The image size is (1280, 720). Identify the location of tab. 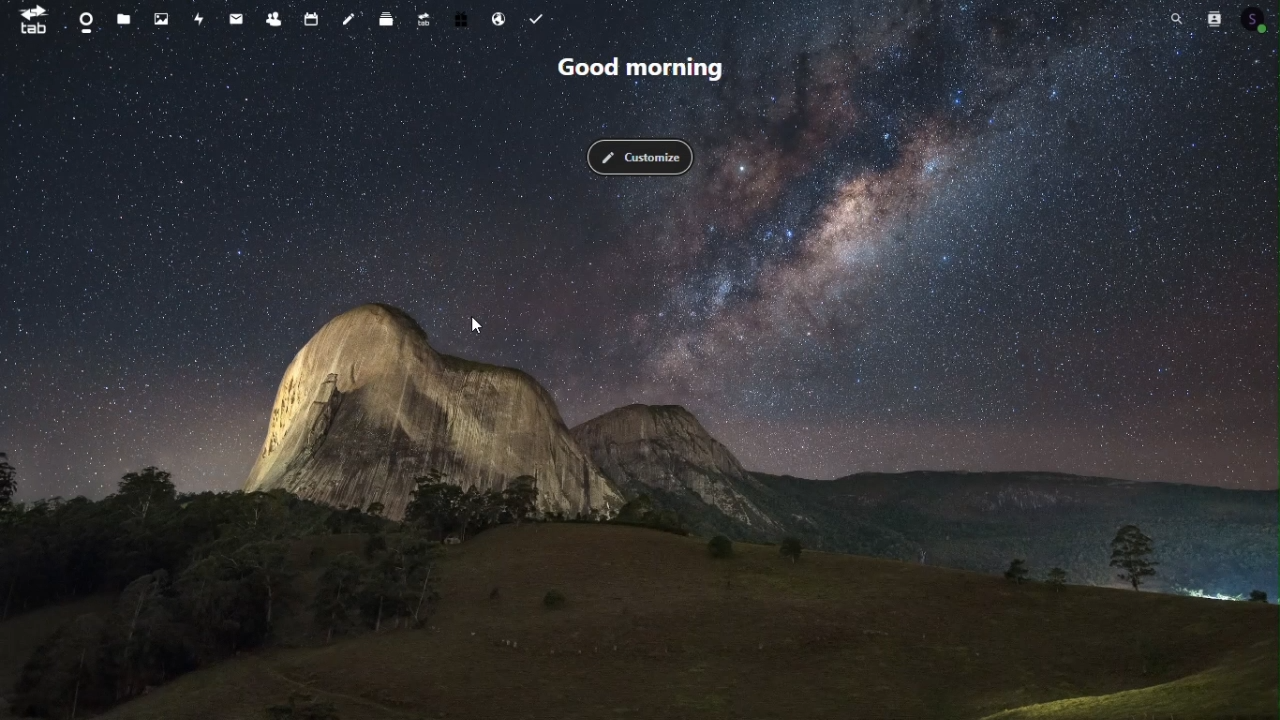
(27, 19).